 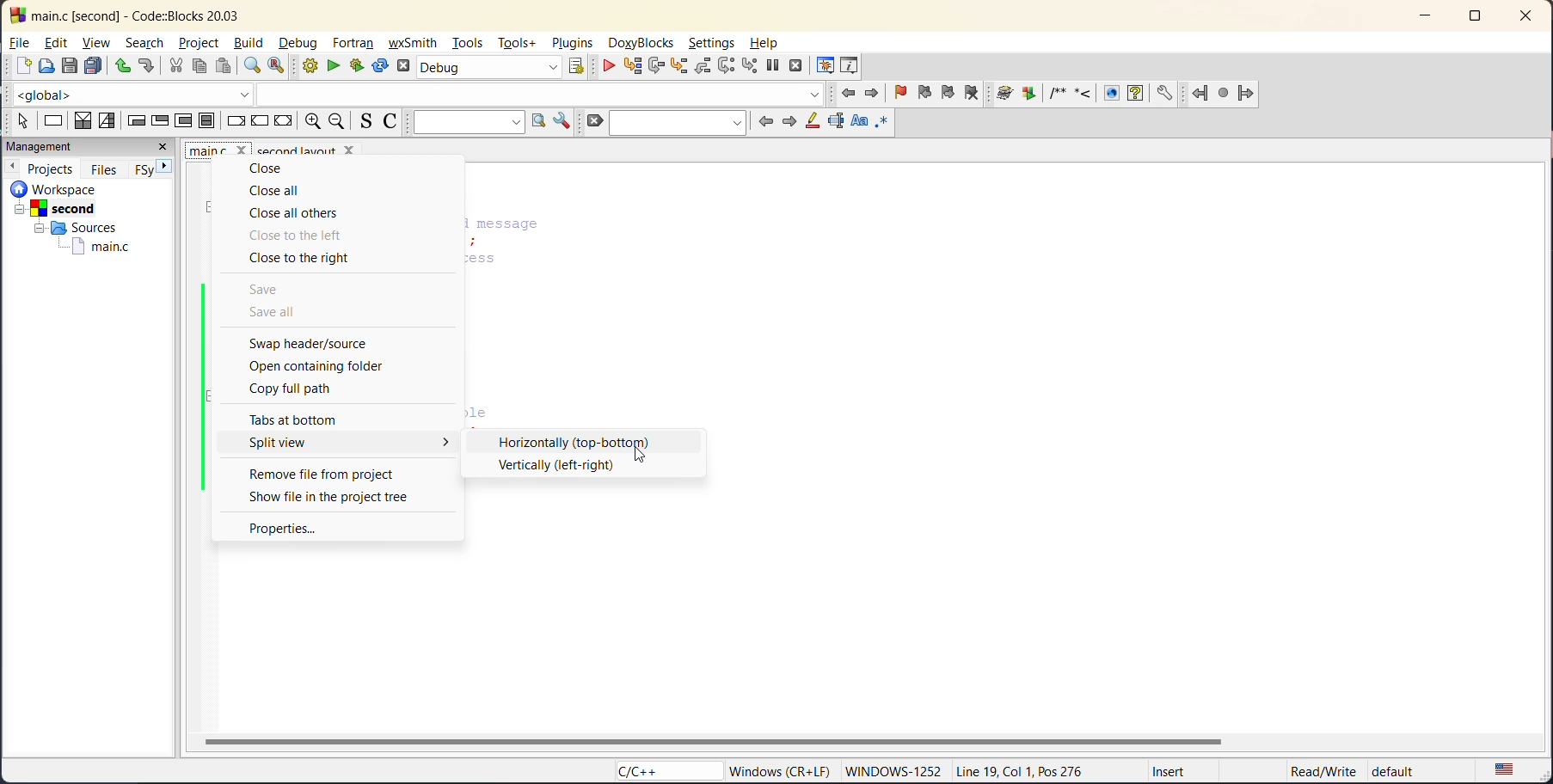 I want to click on step out, so click(x=703, y=67).